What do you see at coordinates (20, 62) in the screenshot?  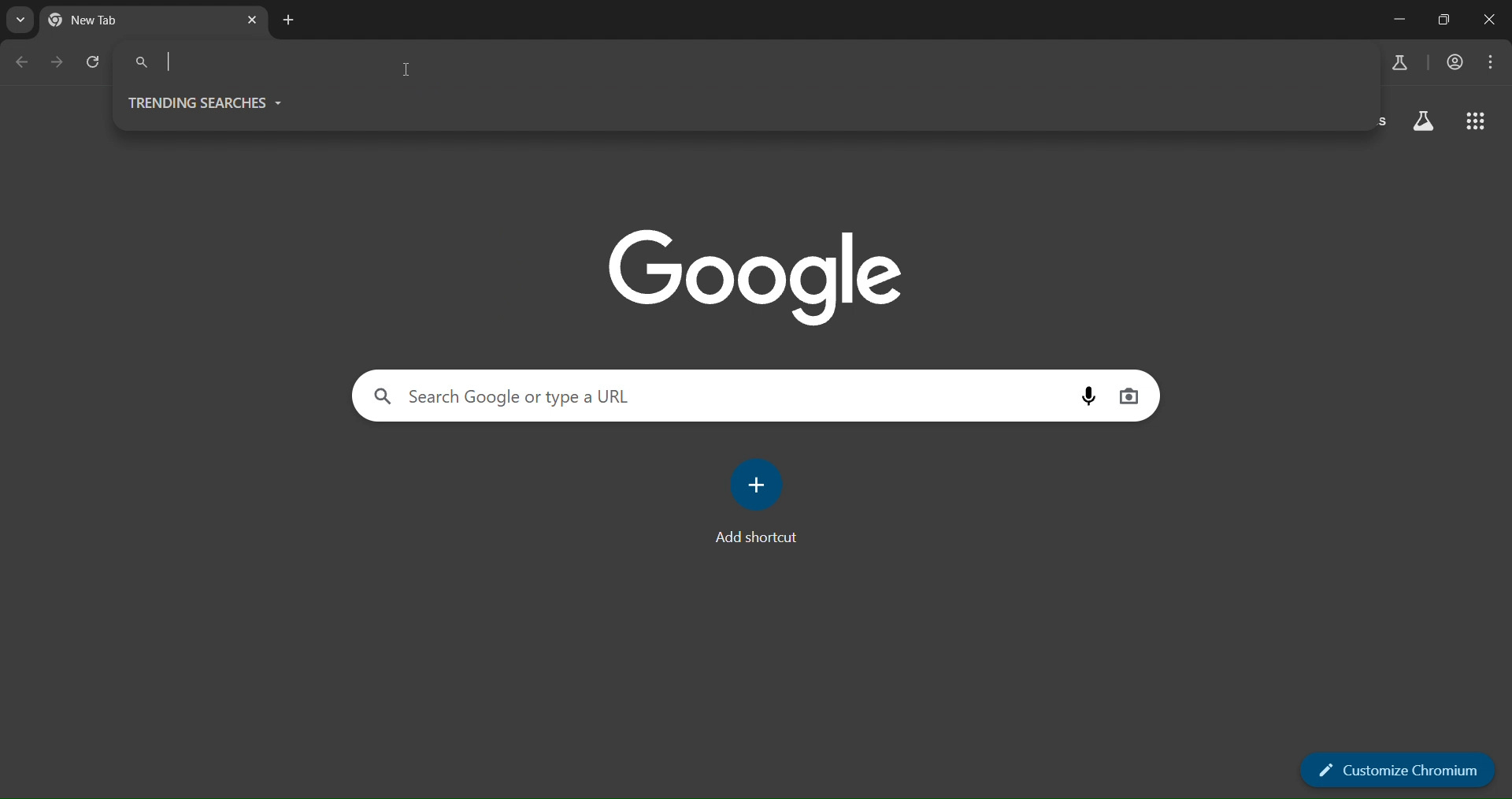 I see `go back one page` at bounding box center [20, 62].